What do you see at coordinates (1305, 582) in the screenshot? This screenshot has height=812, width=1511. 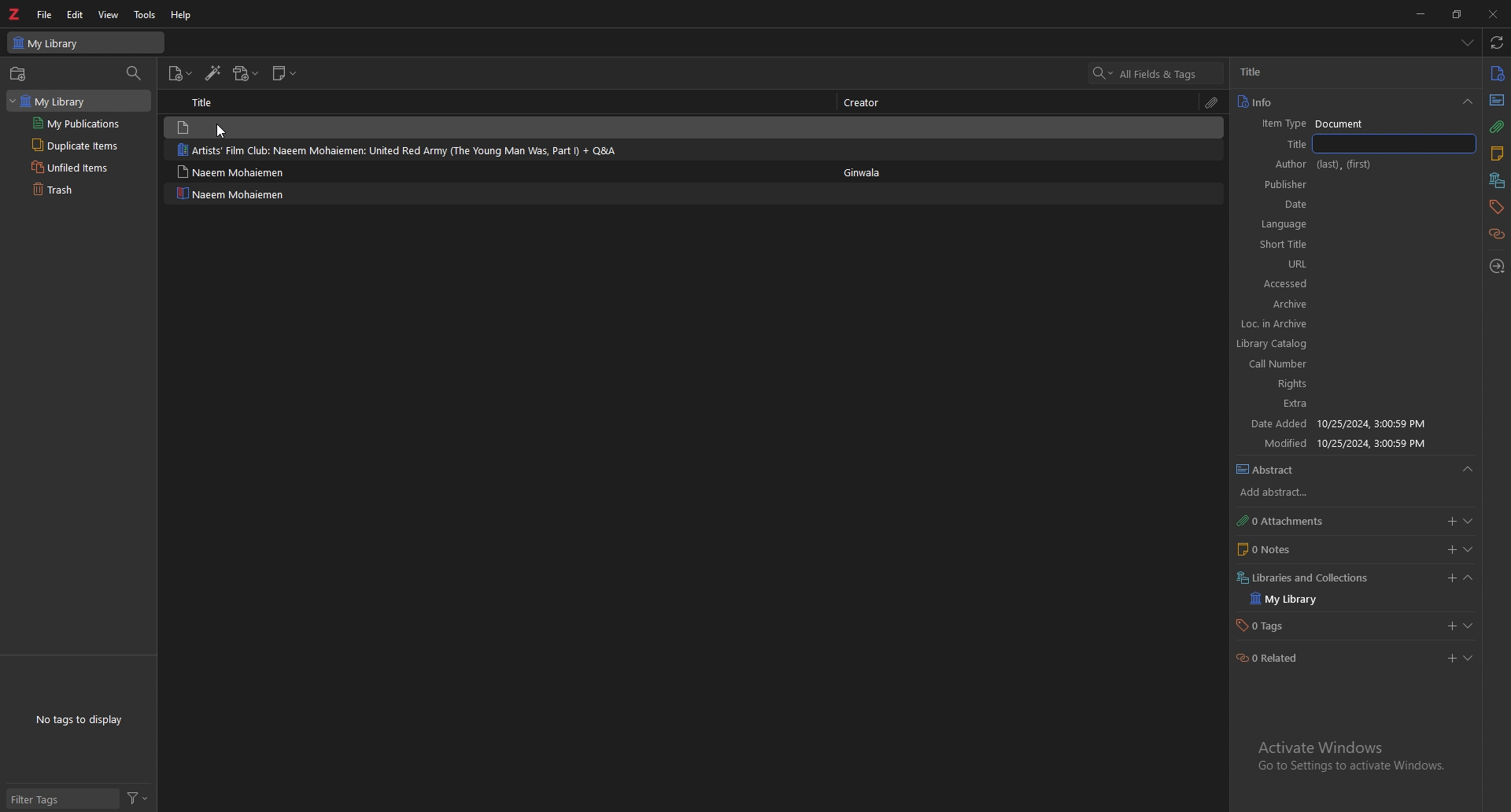 I see `extra` at bounding box center [1305, 582].